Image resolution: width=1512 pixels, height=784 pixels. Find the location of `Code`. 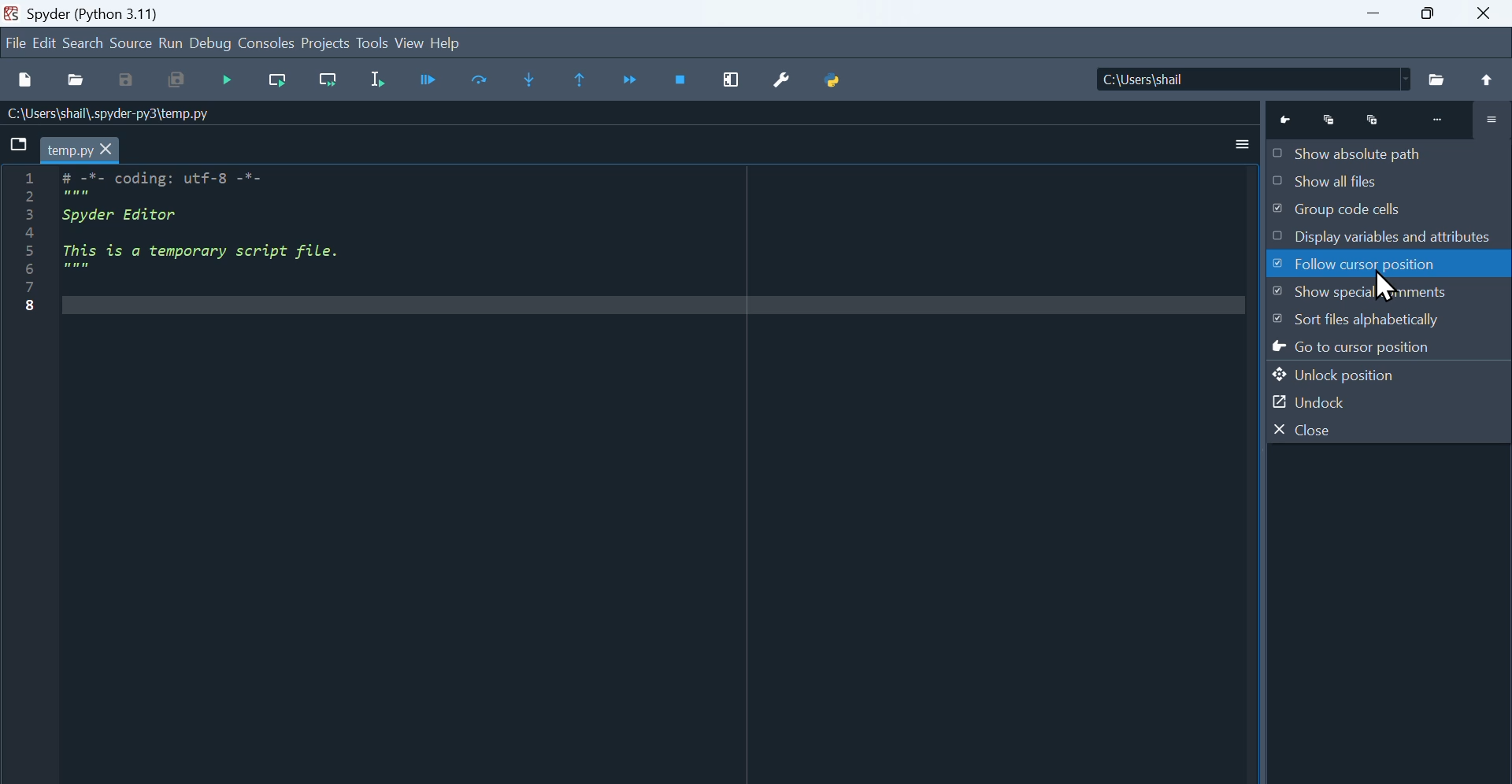

Code is located at coordinates (256, 243).